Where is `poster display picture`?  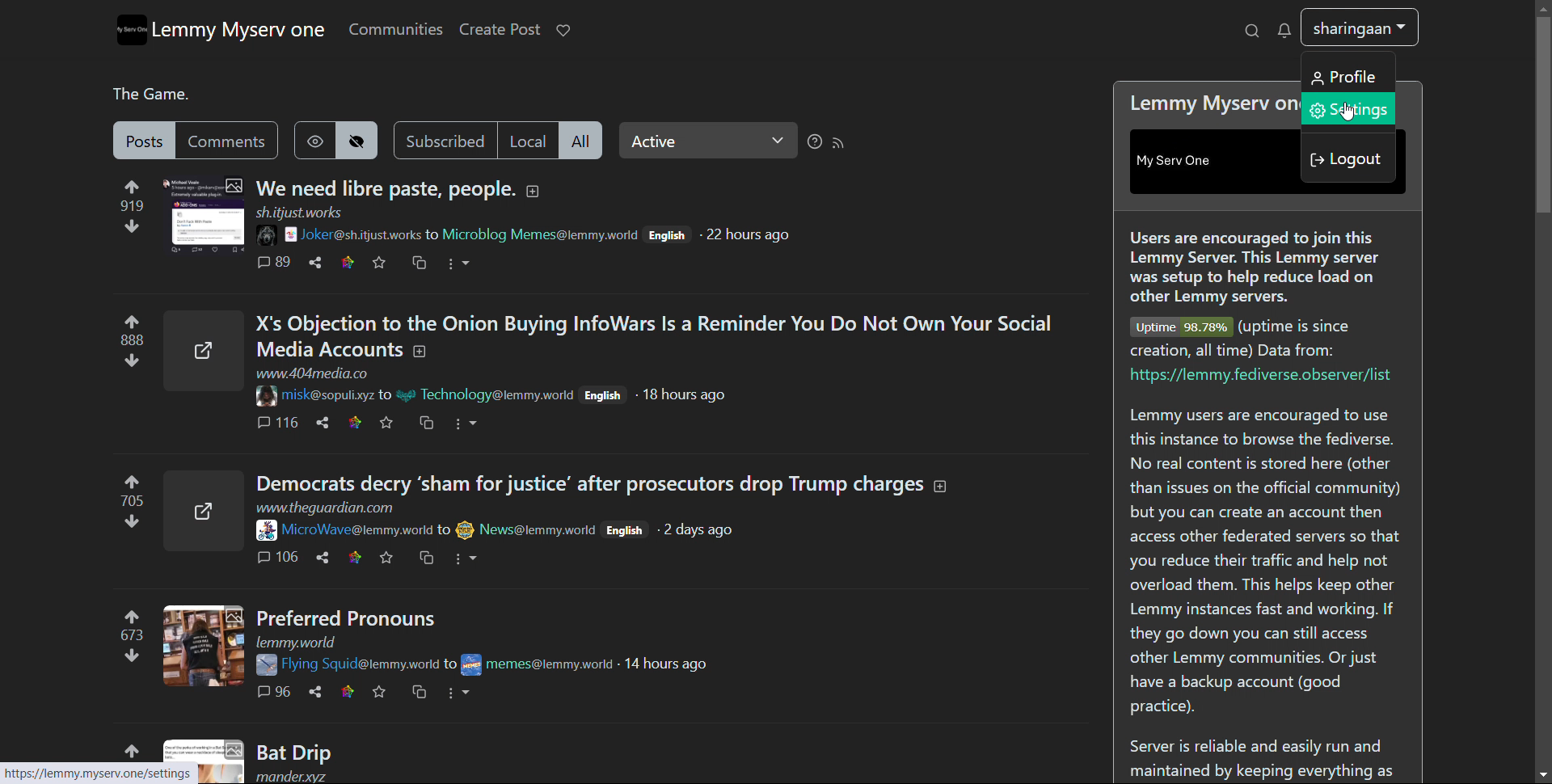
poster display picture is located at coordinates (475, 666).